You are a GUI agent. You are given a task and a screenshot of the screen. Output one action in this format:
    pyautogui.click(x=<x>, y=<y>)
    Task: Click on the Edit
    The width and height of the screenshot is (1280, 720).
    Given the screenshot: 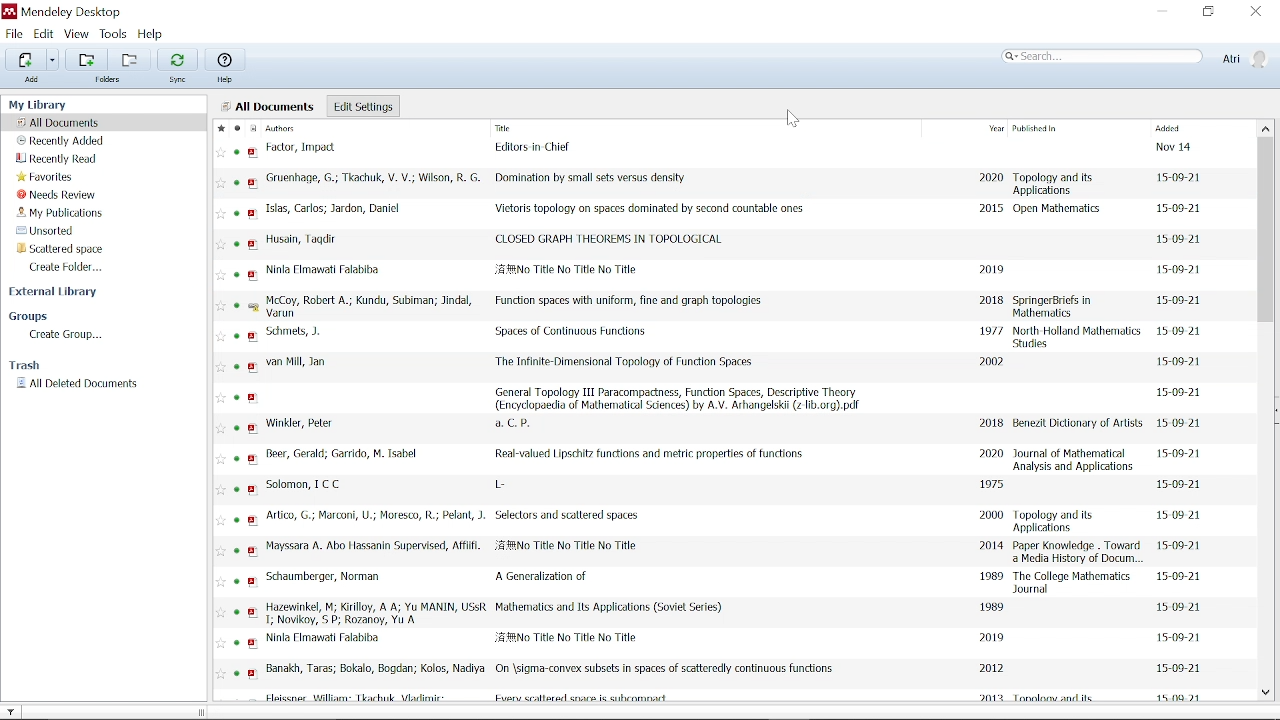 What is the action you would take?
    pyautogui.click(x=43, y=34)
    